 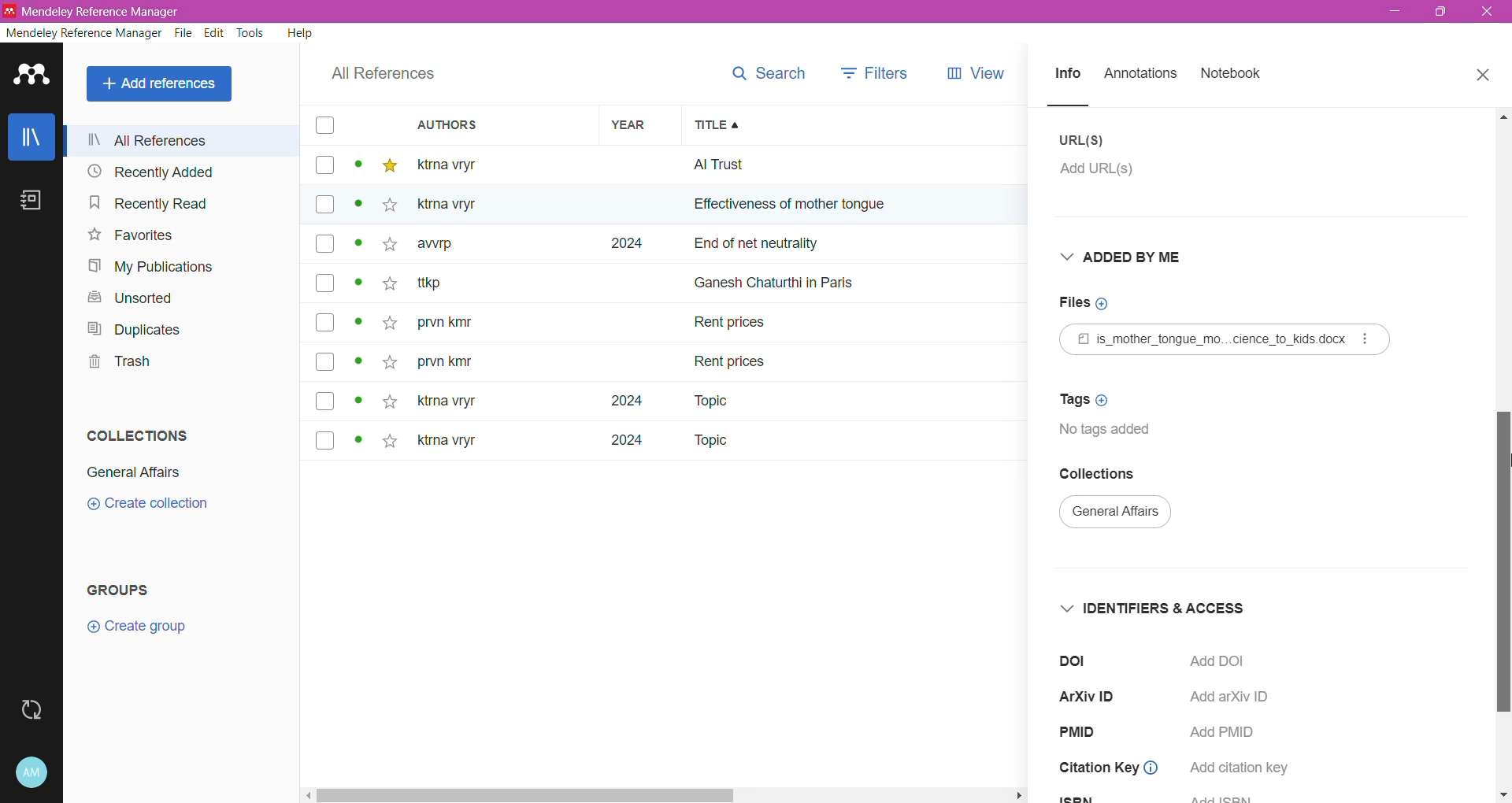 What do you see at coordinates (325, 322) in the screenshot?
I see `box` at bounding box center [325, 322].